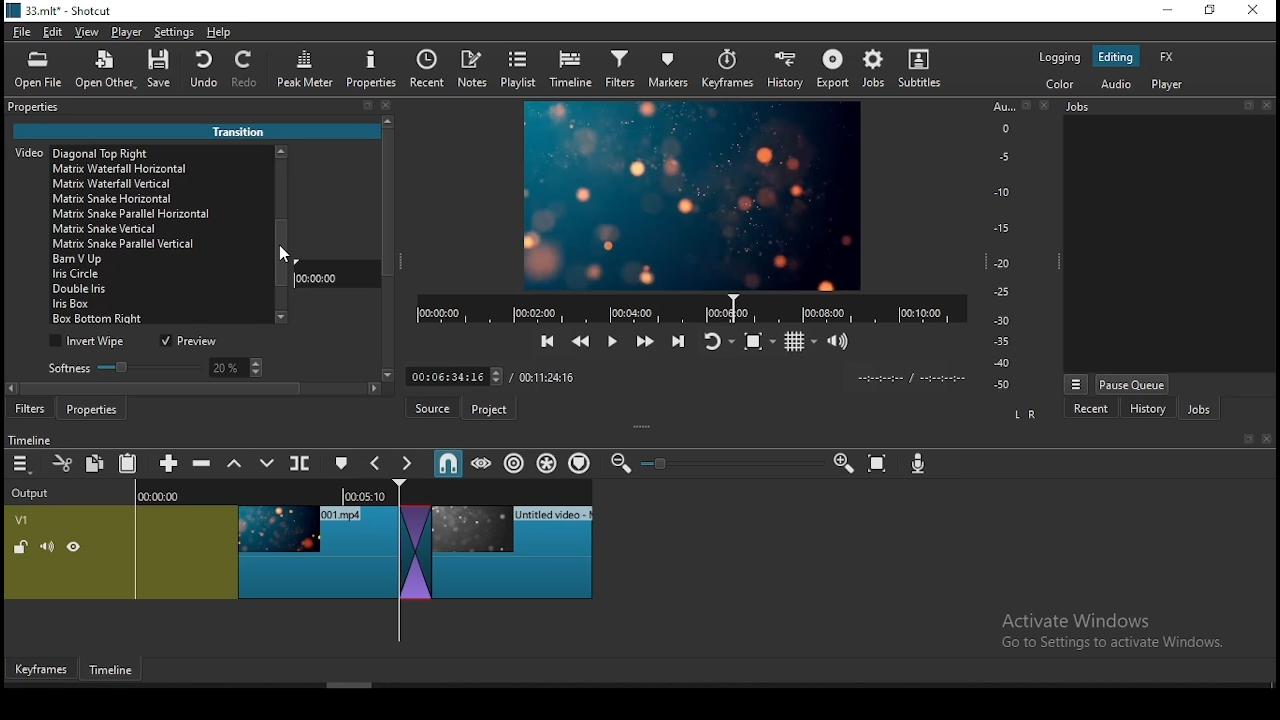 The height and width of the screenshot is (720, 1280). I want to click on history, so click(782, 71).